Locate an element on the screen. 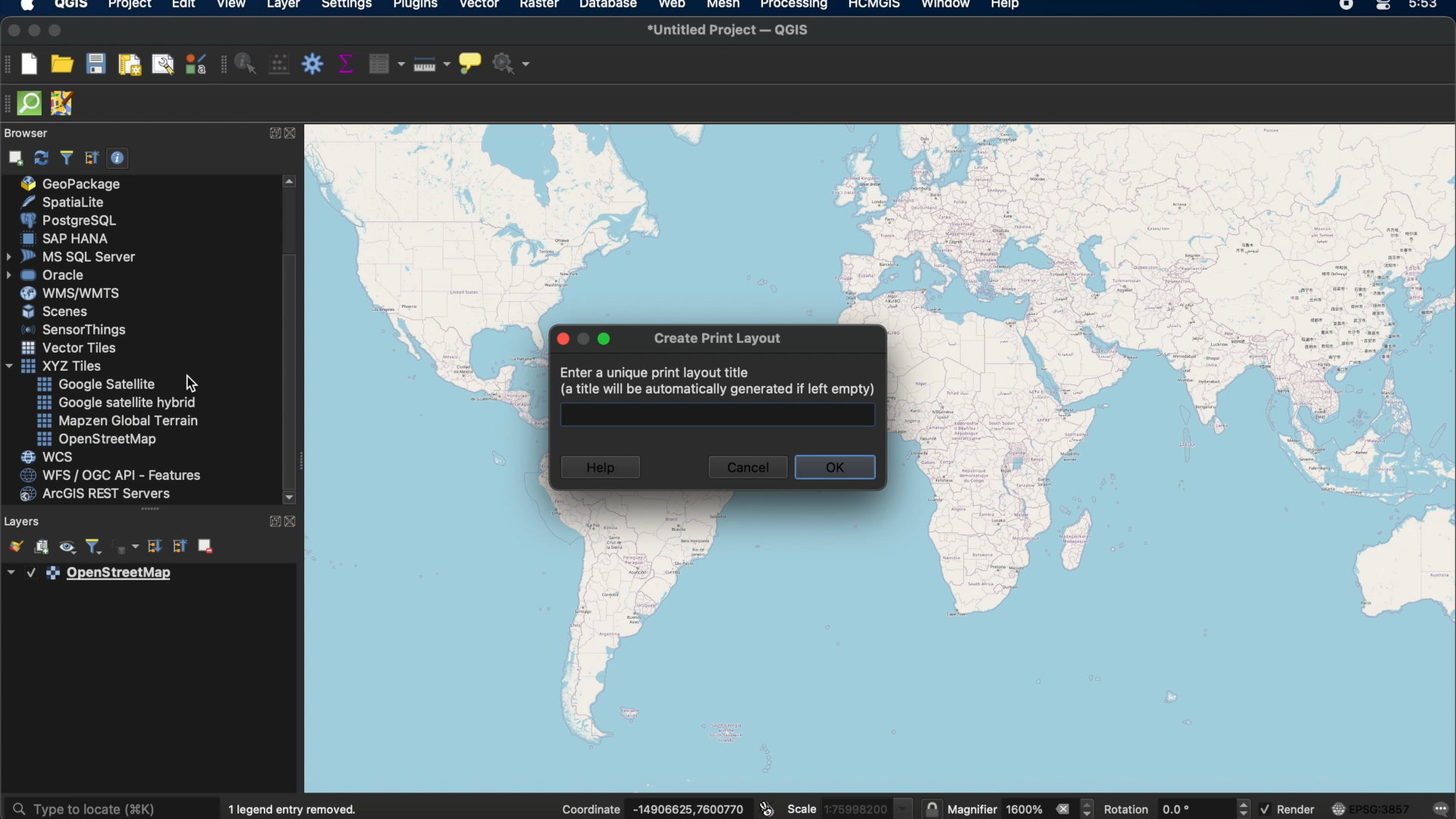 This screenshot has height=819, width=1456. filter legend by expression is located at coordinates (125, 547).